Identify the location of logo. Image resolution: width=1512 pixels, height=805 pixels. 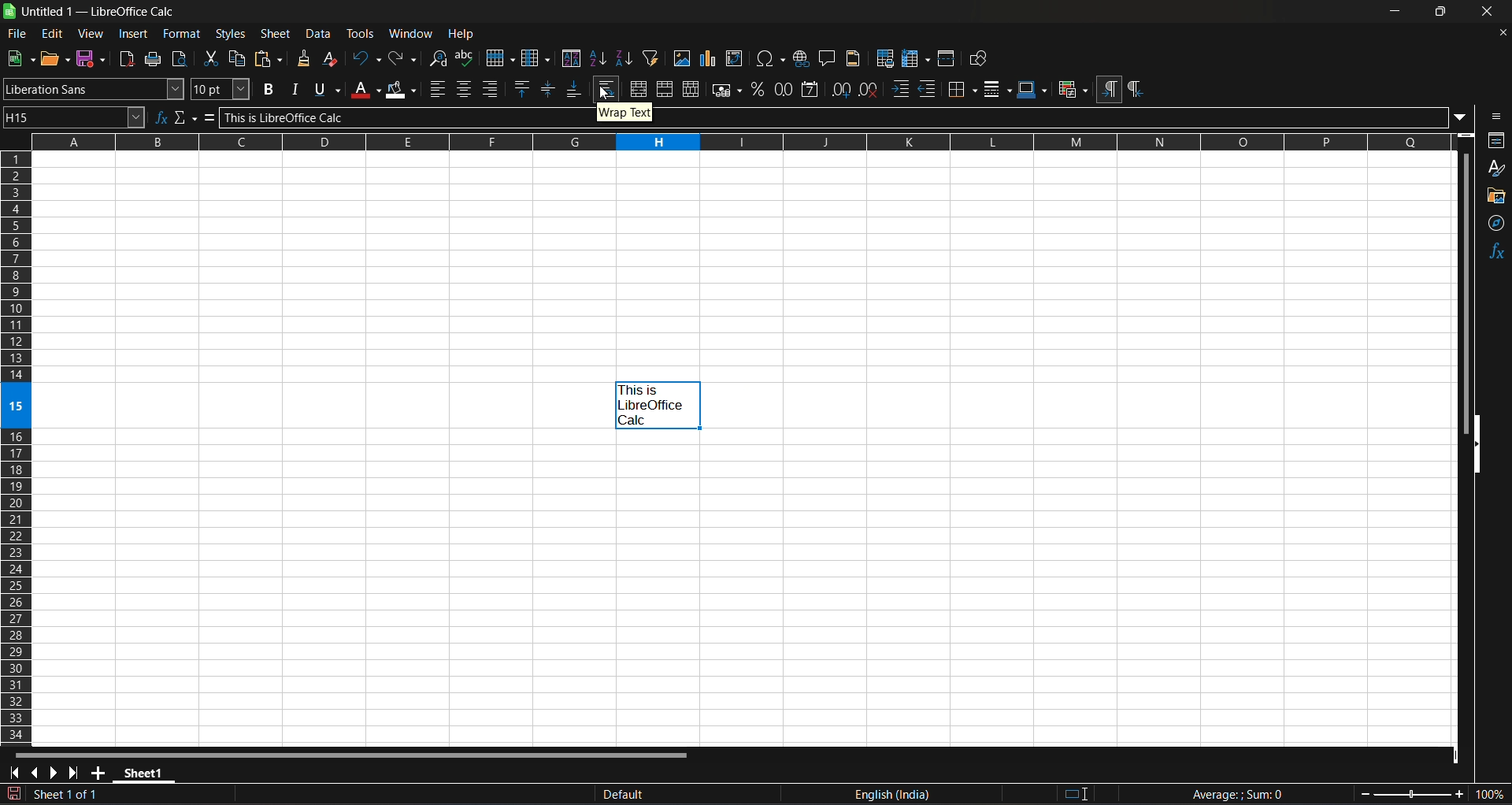
(9, 11).